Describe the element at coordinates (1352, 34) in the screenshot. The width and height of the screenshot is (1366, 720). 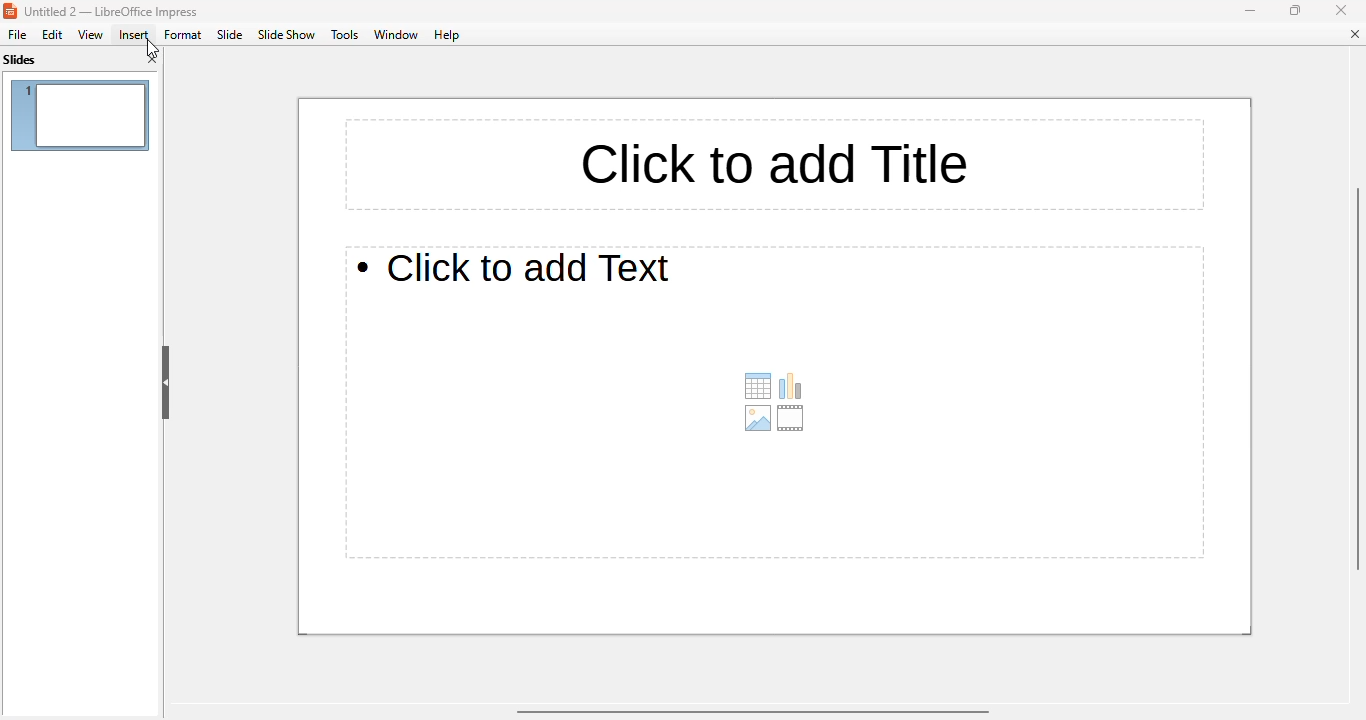
I see `close document` at that location.